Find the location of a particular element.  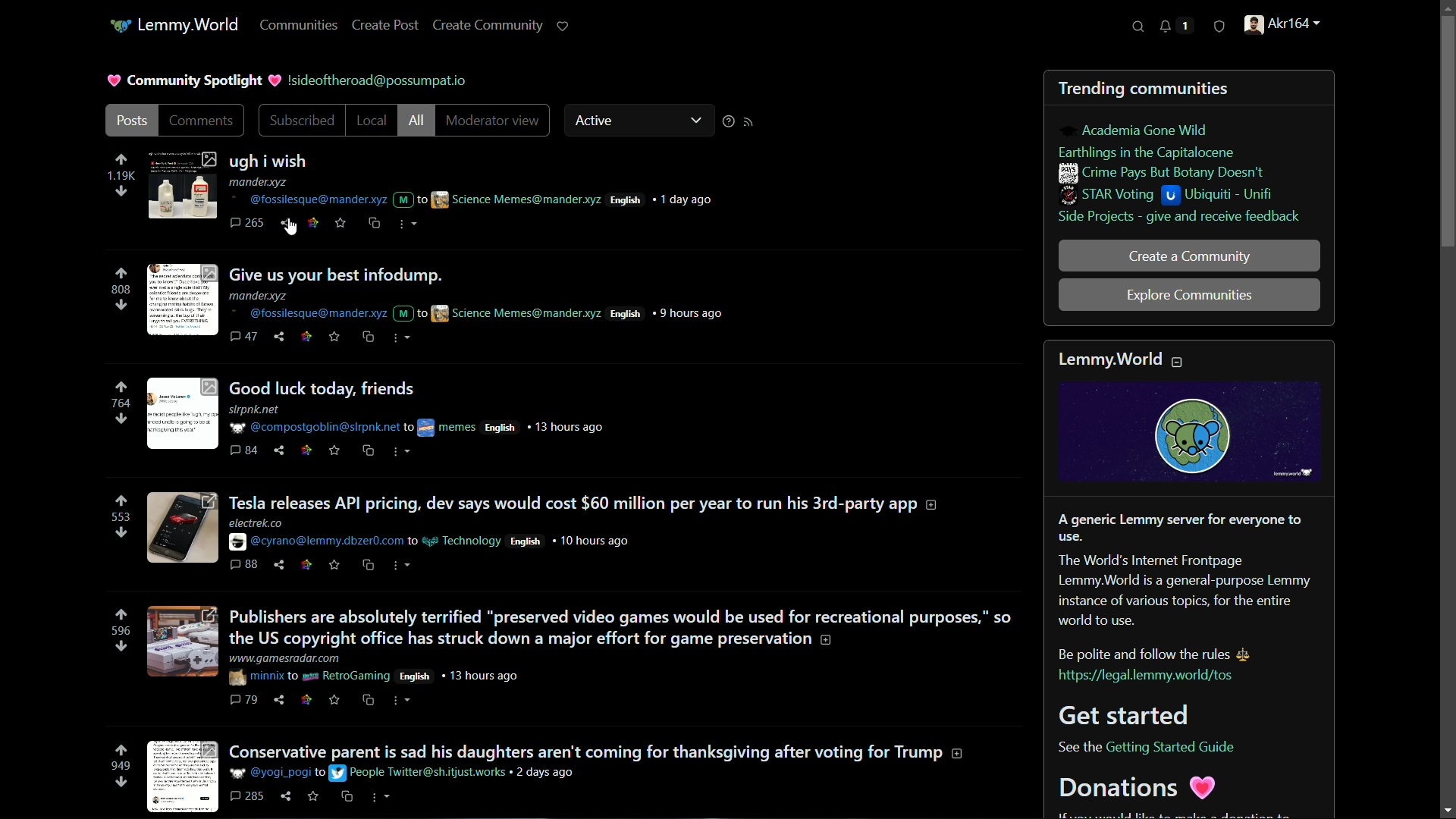

lemmy.world is located at coordinates (1110, 358).